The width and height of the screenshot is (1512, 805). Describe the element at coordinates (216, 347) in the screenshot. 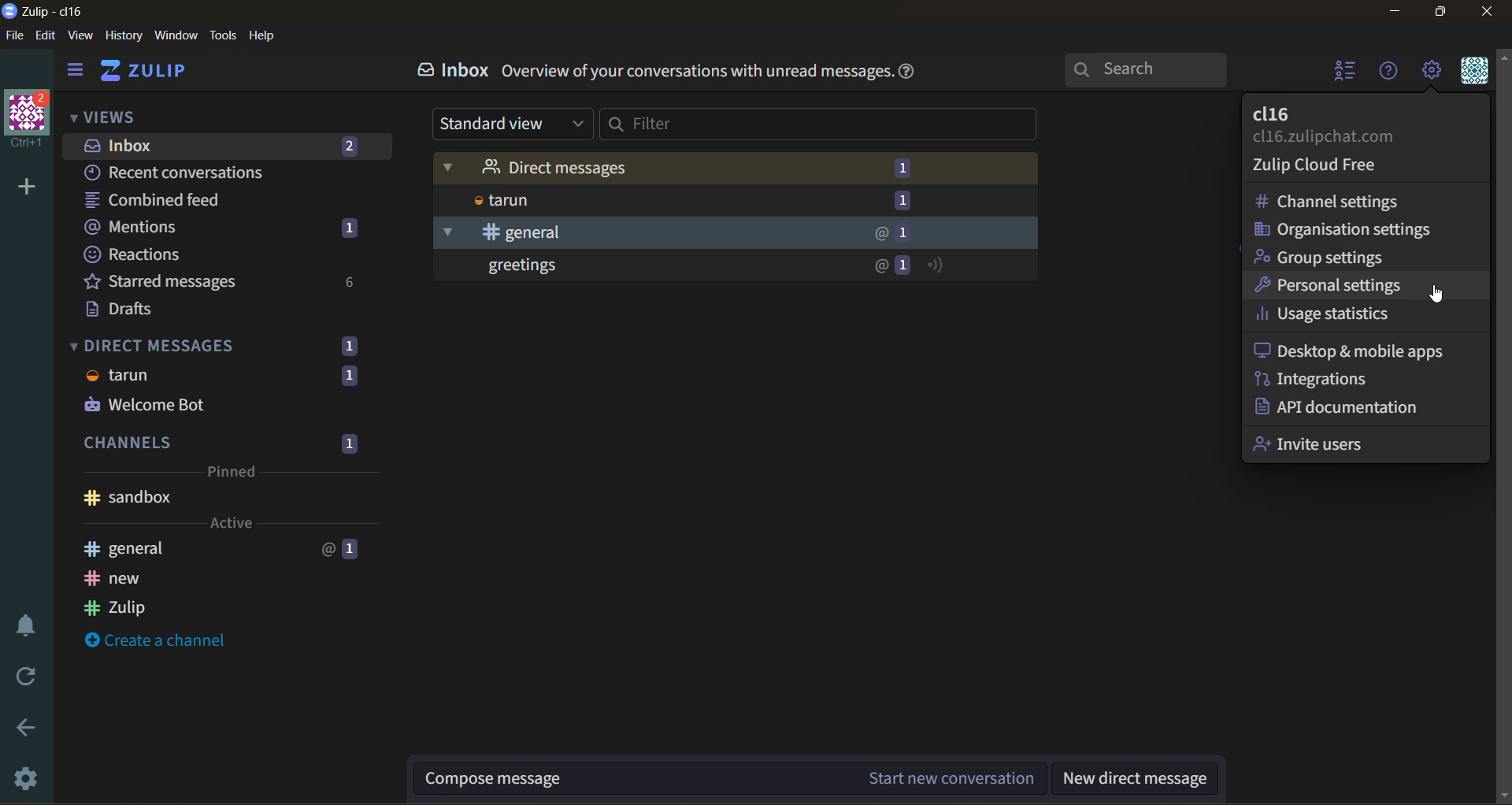

I see `direct messages` at that location.